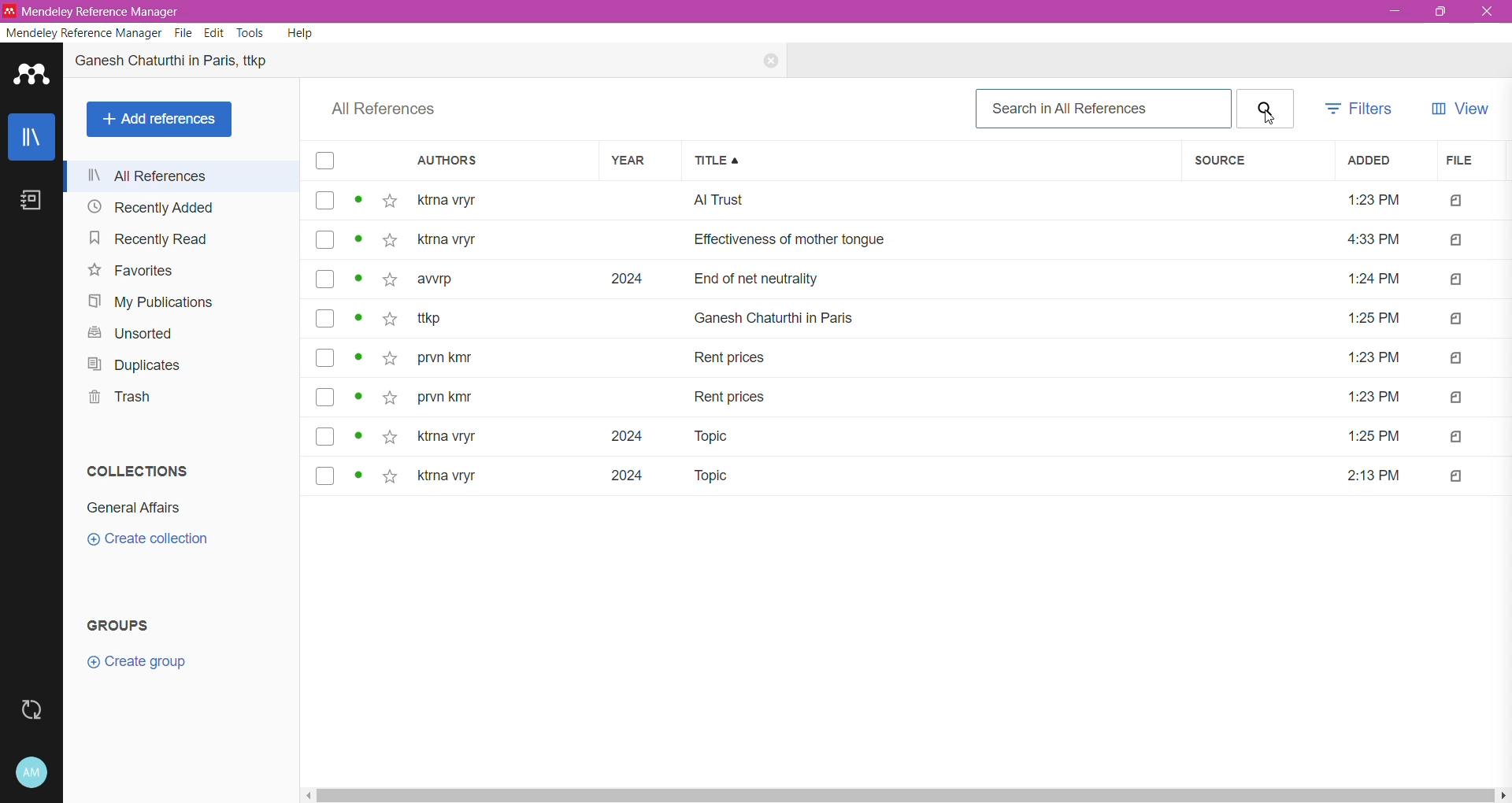  What do you see at coordinates (326, 279) in the screenshot?
I see `select reference ` at bounding box center [326, 279].